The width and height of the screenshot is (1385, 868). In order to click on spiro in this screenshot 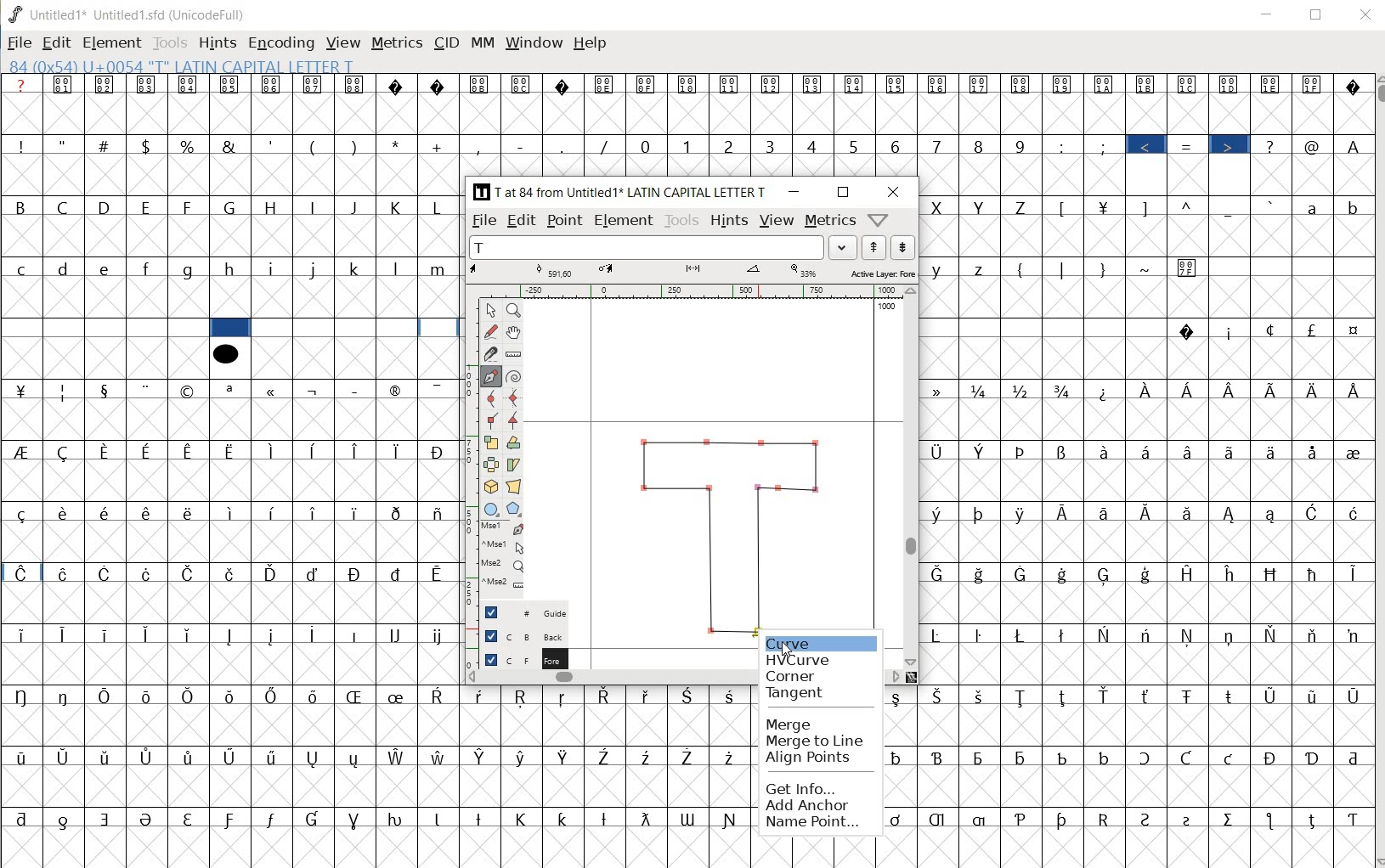, I will do `click(514, 375)`.